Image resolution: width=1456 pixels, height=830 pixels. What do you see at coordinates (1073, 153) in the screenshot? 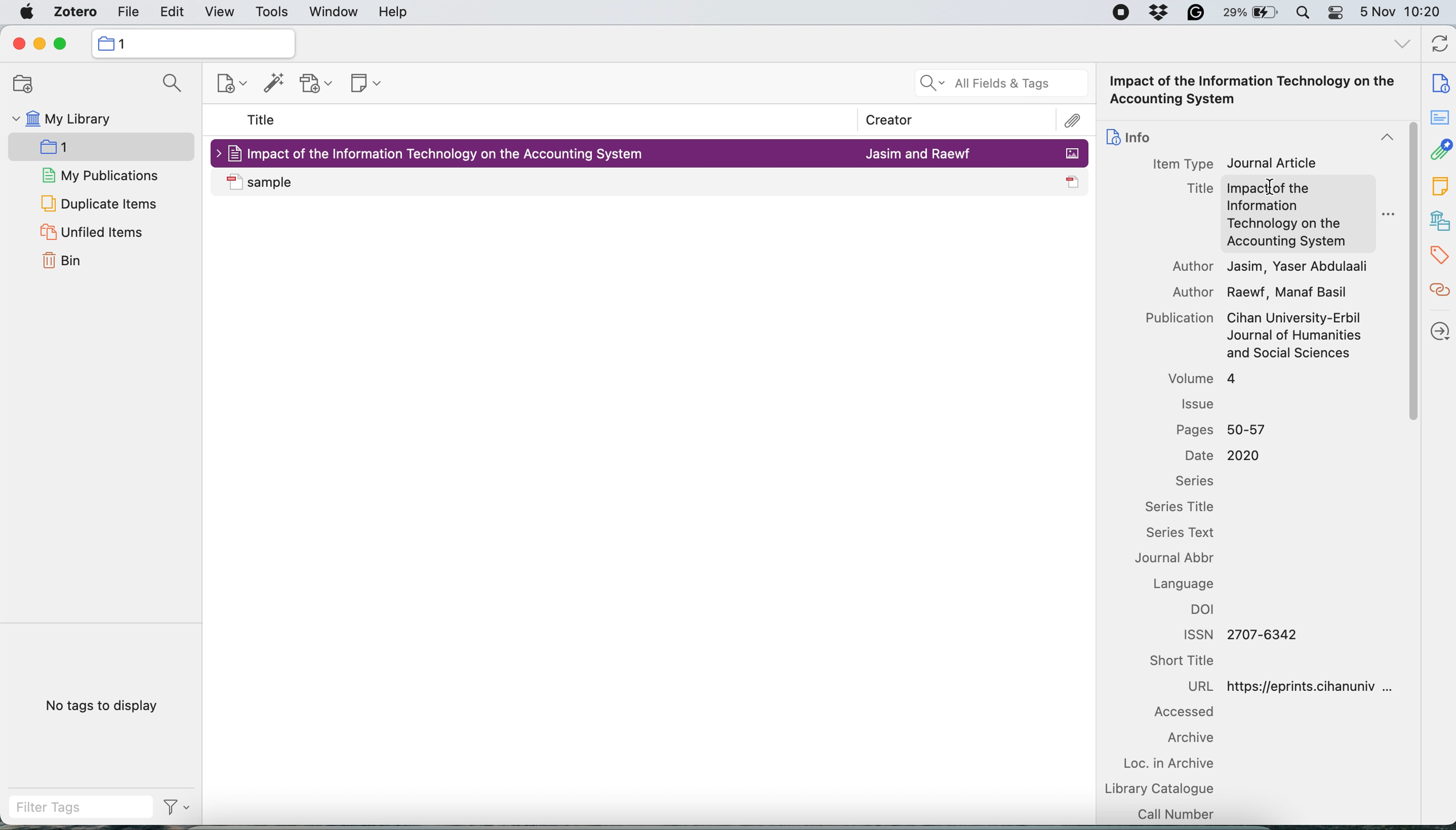
I see `icon` at bounding box center [1073, 153].